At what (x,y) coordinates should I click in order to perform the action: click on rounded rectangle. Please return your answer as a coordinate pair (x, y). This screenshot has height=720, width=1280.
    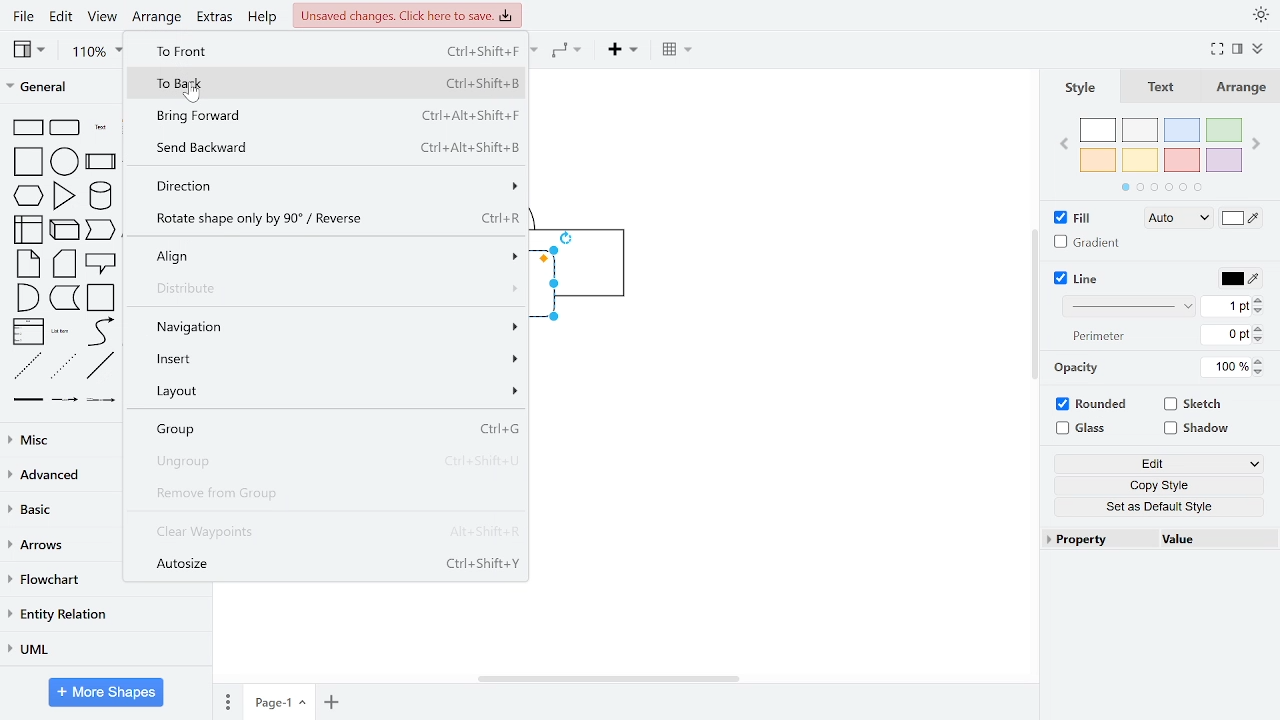
    Looking at the image, I should click on (65, 128).